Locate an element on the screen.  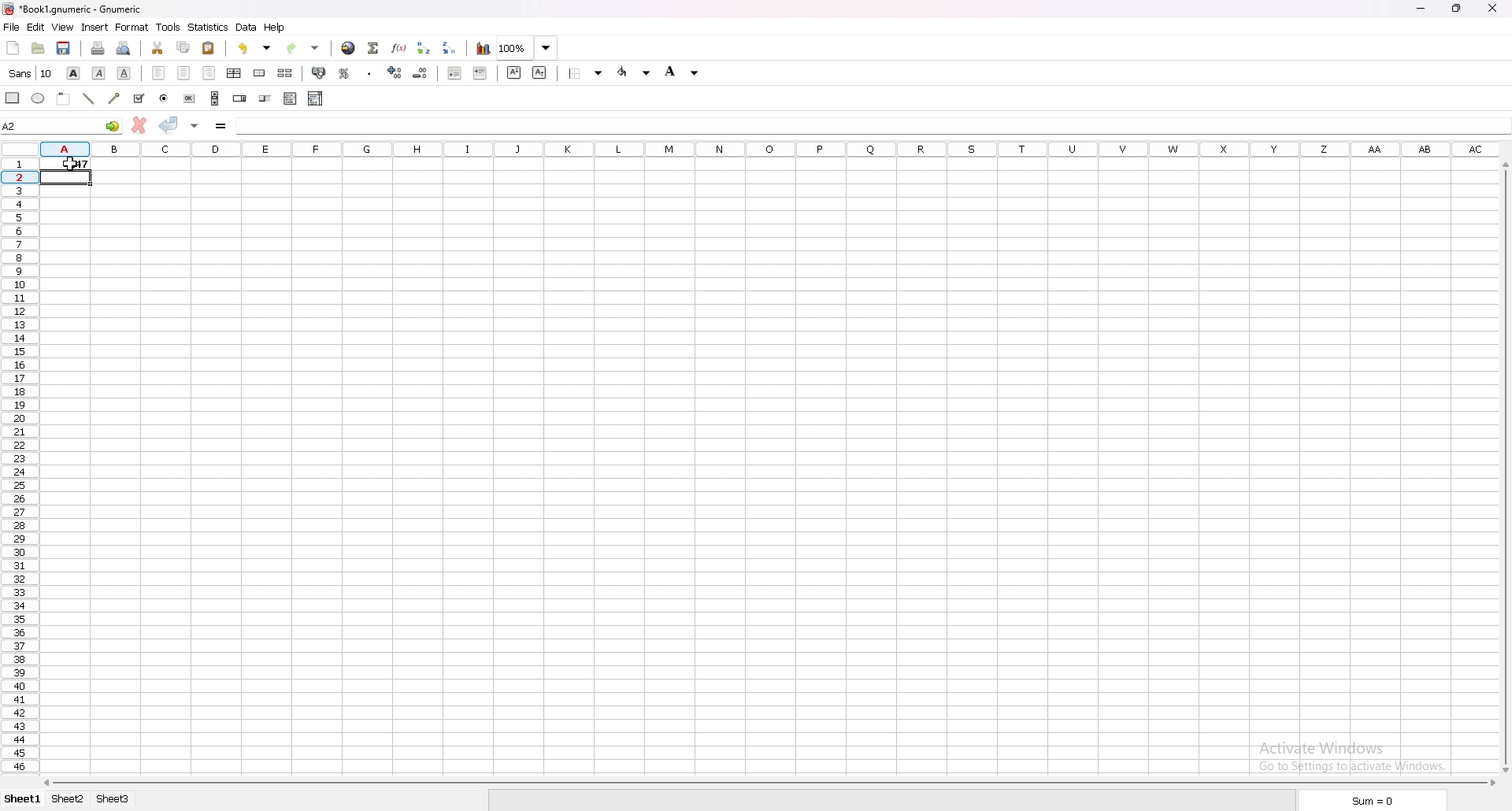
scroll bar is located at coordinates (771, 783).